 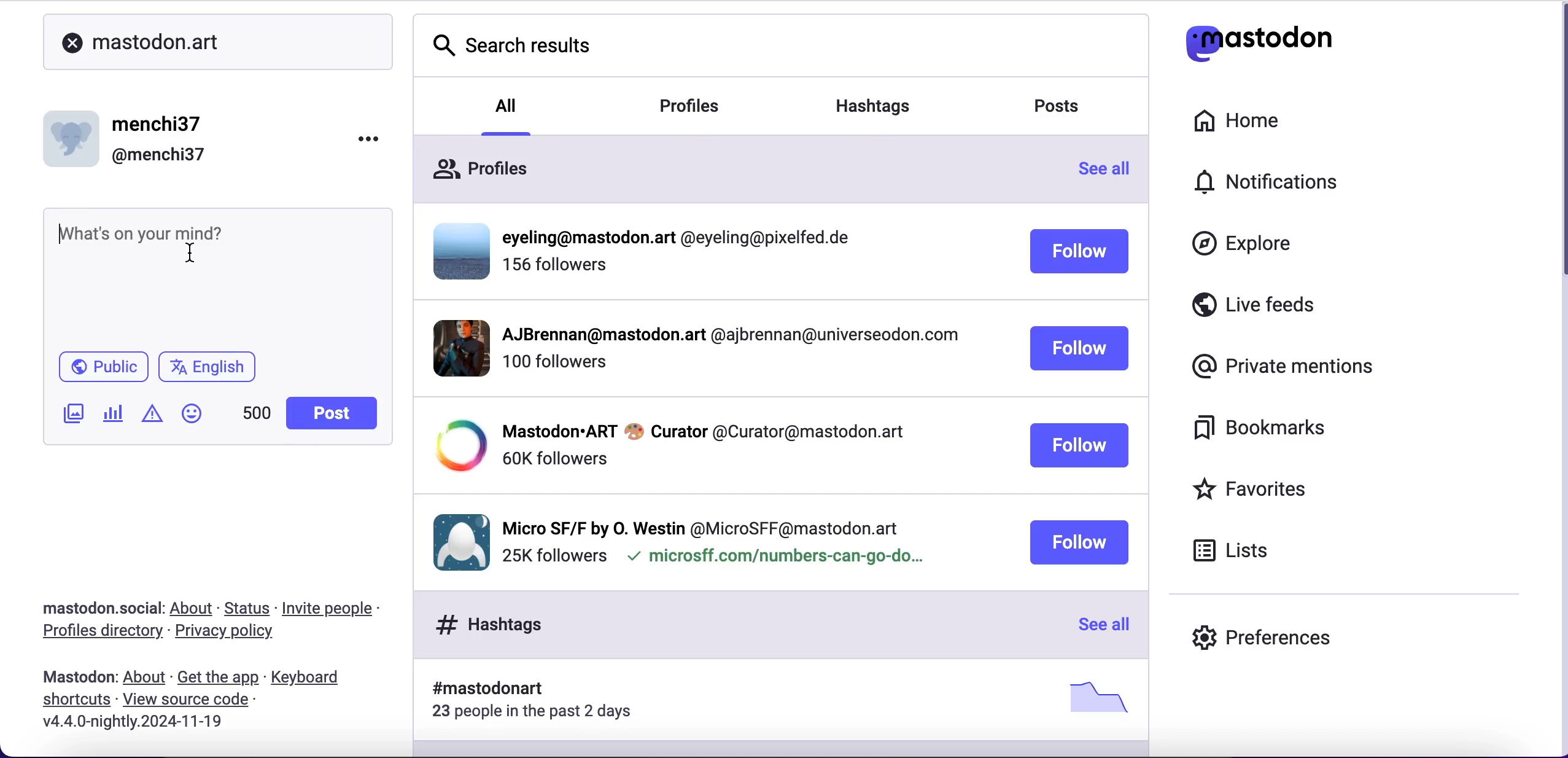 I want to click on characters, so click(x=257, y=416).